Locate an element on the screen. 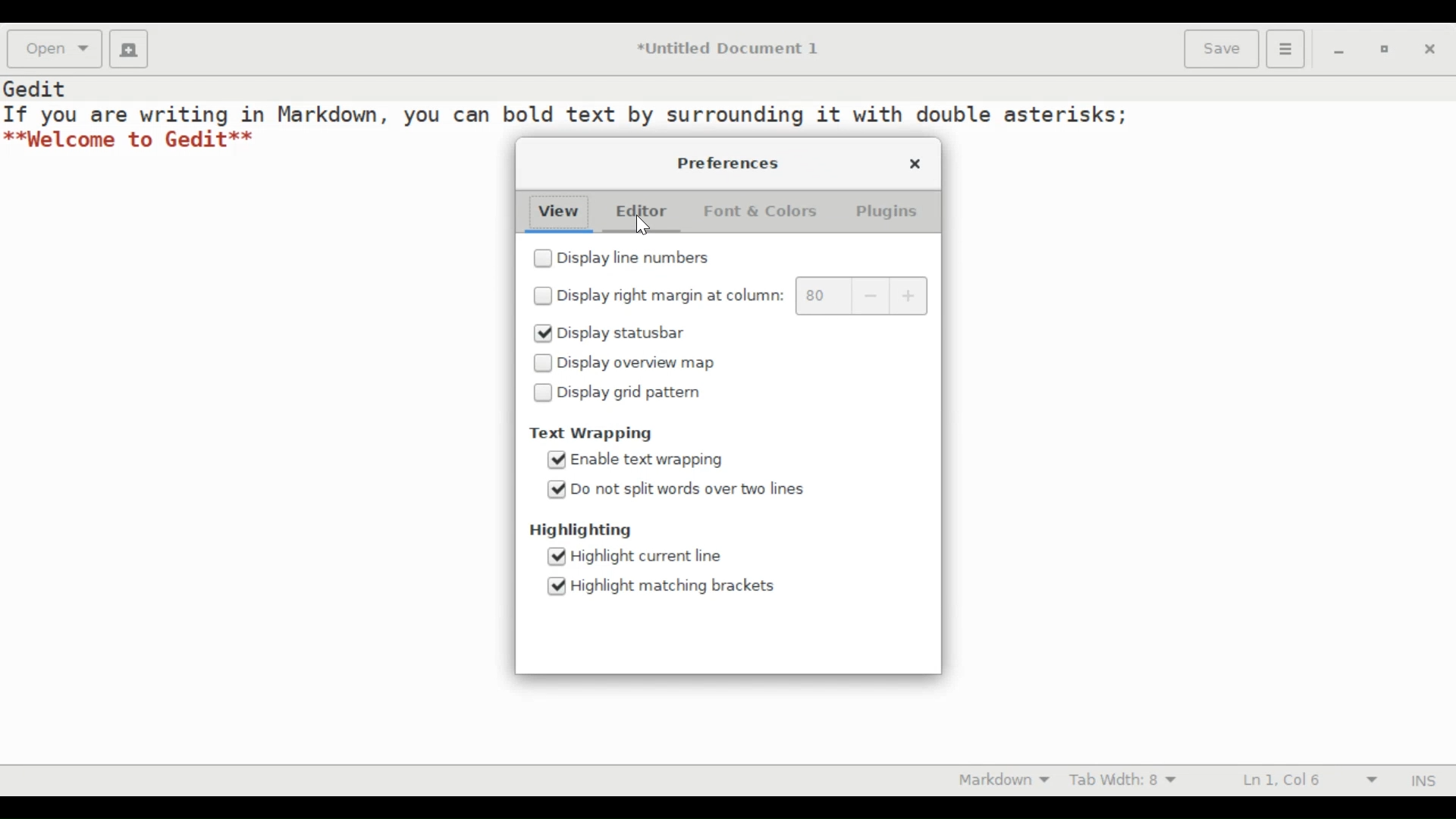 This screenshot has width=1456, height=819. cursor is located at coordinates (645, 226).